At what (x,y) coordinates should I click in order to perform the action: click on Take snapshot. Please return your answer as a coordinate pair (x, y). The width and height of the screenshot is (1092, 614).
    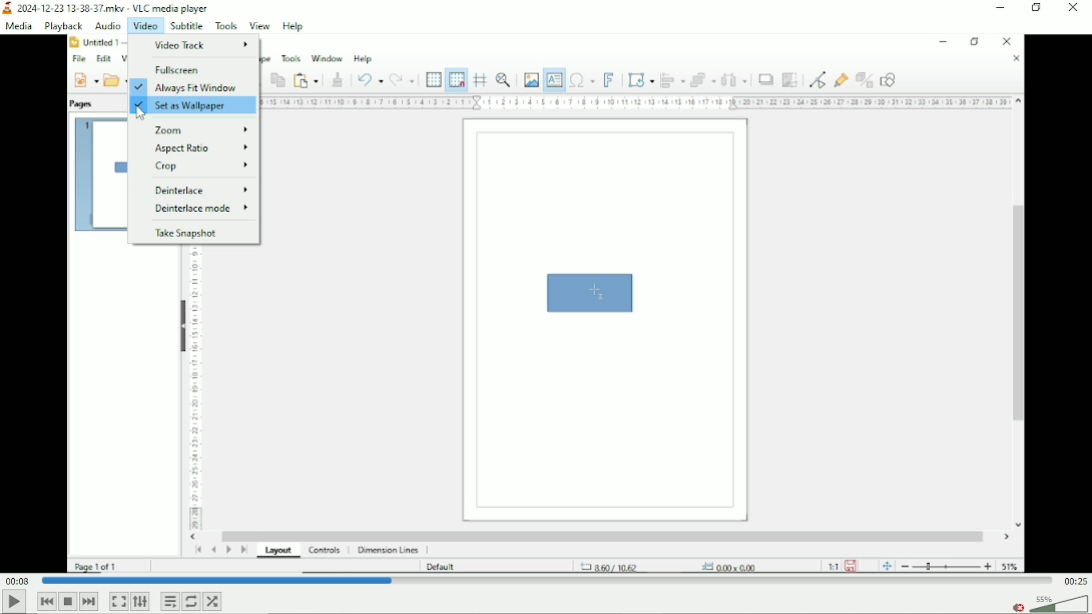
    Looking at the image, I should click on (185, 234).